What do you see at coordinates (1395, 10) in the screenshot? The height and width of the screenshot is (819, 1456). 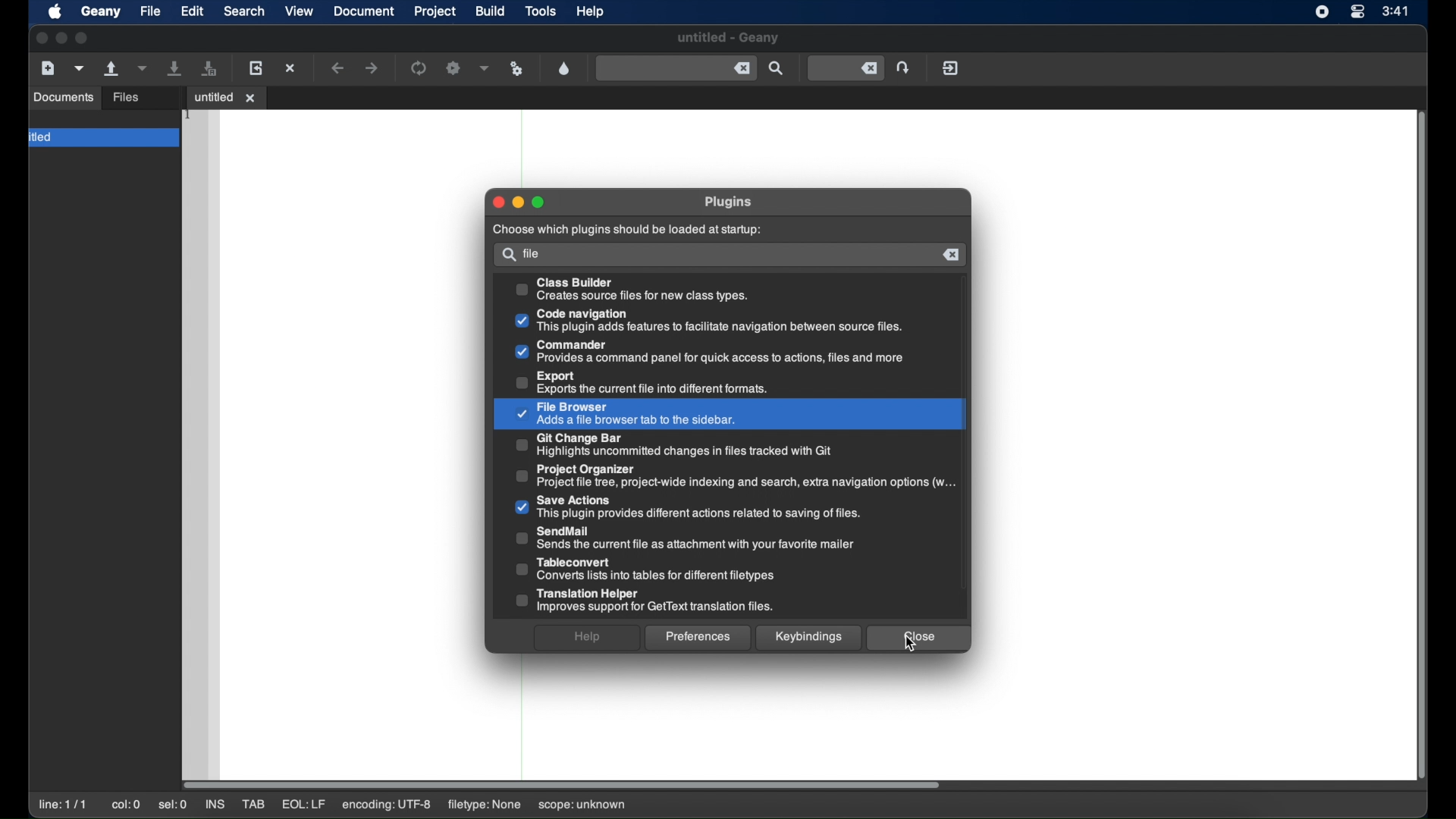 I see `time` at bounding box center [1395, 10].